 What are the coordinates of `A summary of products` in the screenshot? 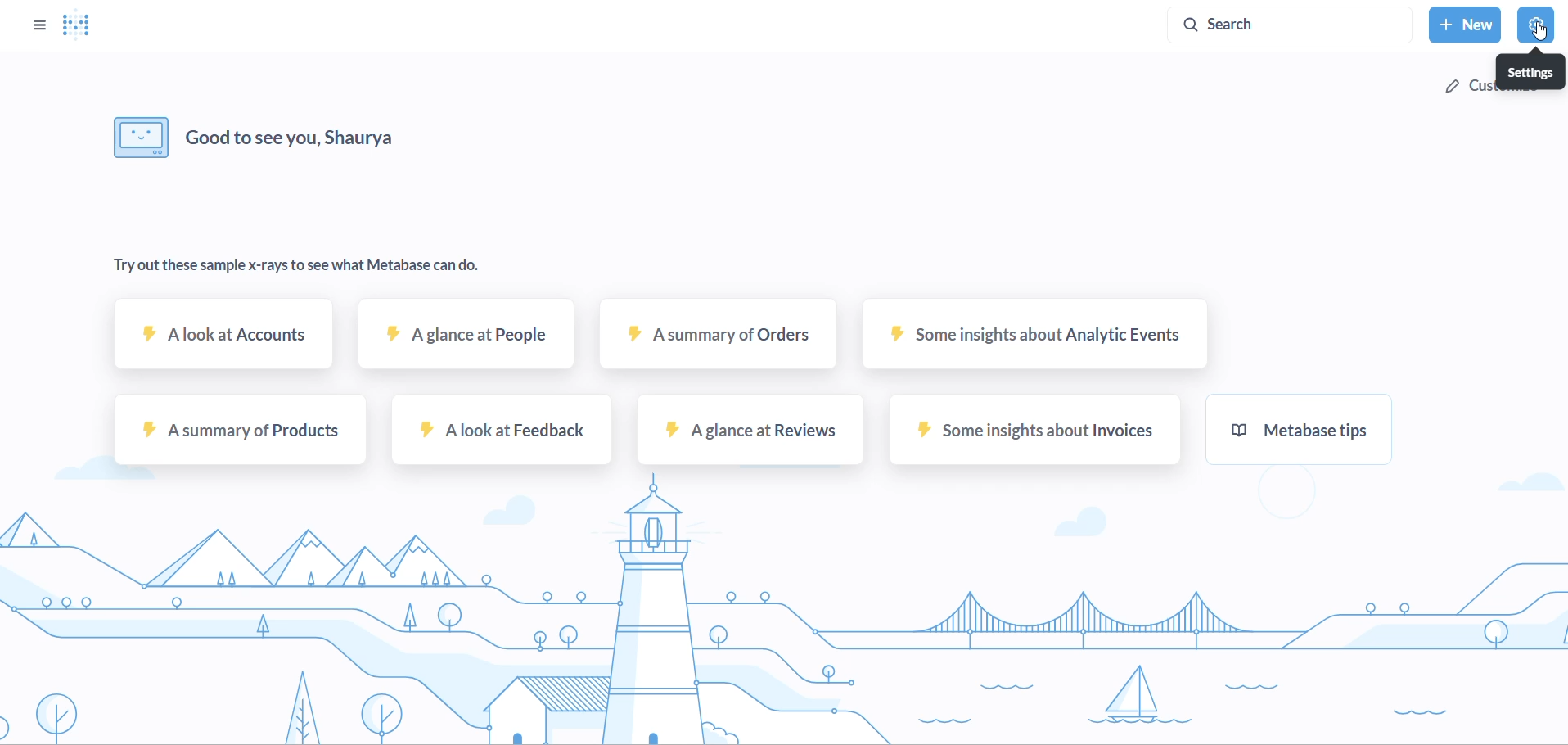 It's located at (237, 435).